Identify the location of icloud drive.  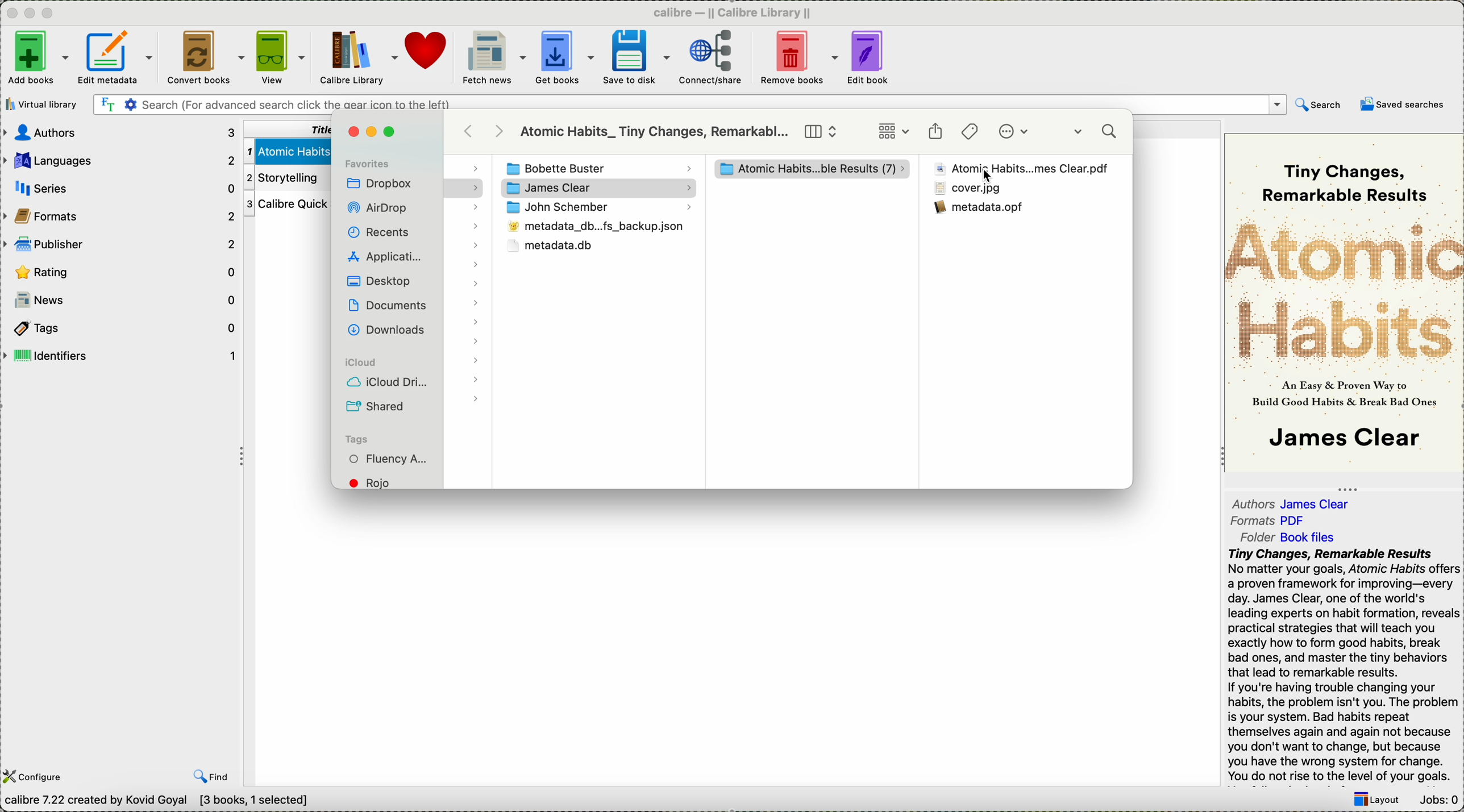
(388, 384).